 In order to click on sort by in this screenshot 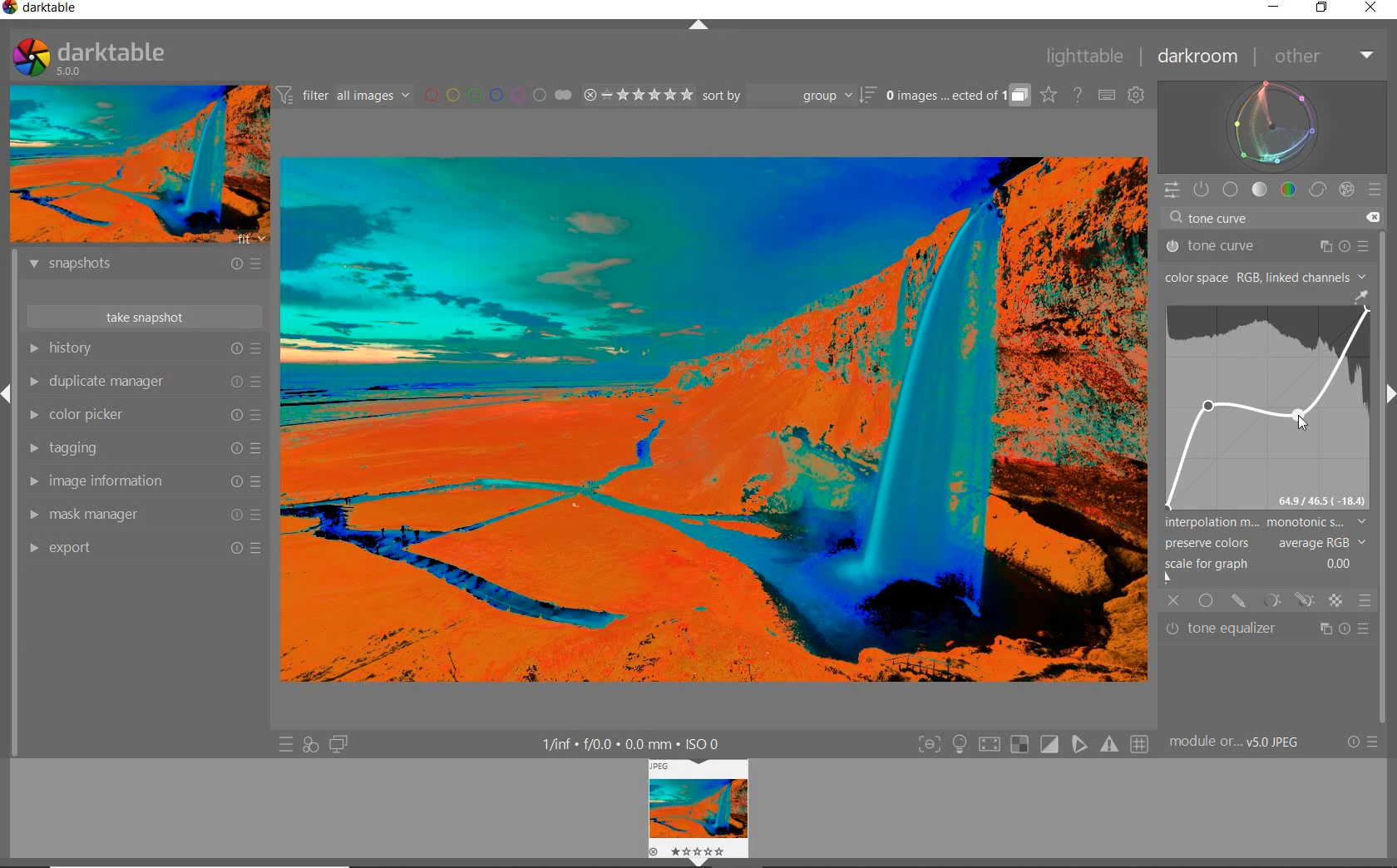, I will do `click(789, 95)`.